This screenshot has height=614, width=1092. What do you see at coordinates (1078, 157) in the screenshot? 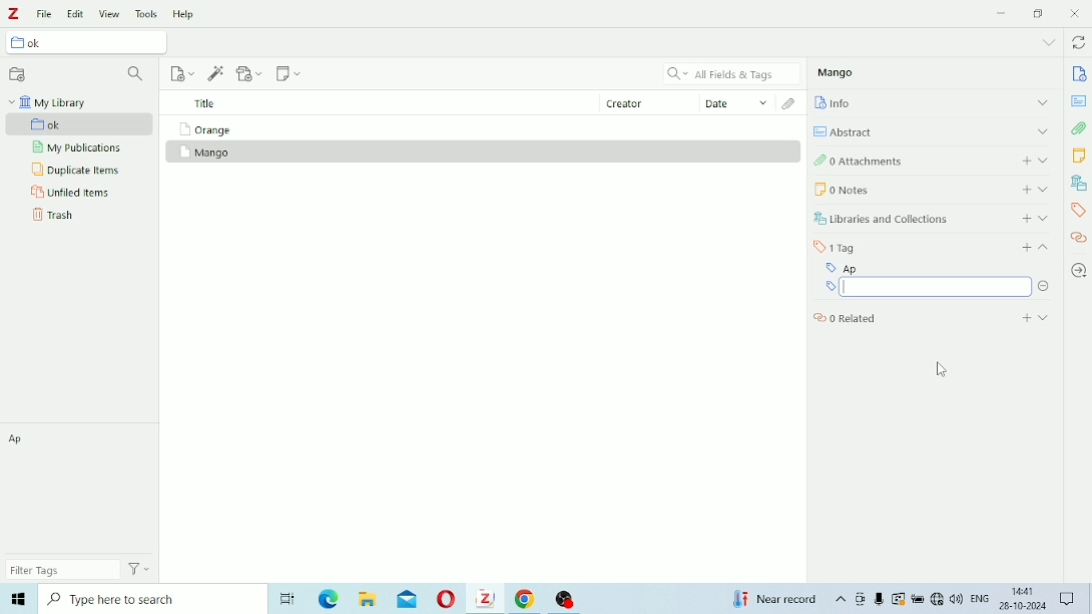
I see `Notes` at bounding box center [1078, 157].